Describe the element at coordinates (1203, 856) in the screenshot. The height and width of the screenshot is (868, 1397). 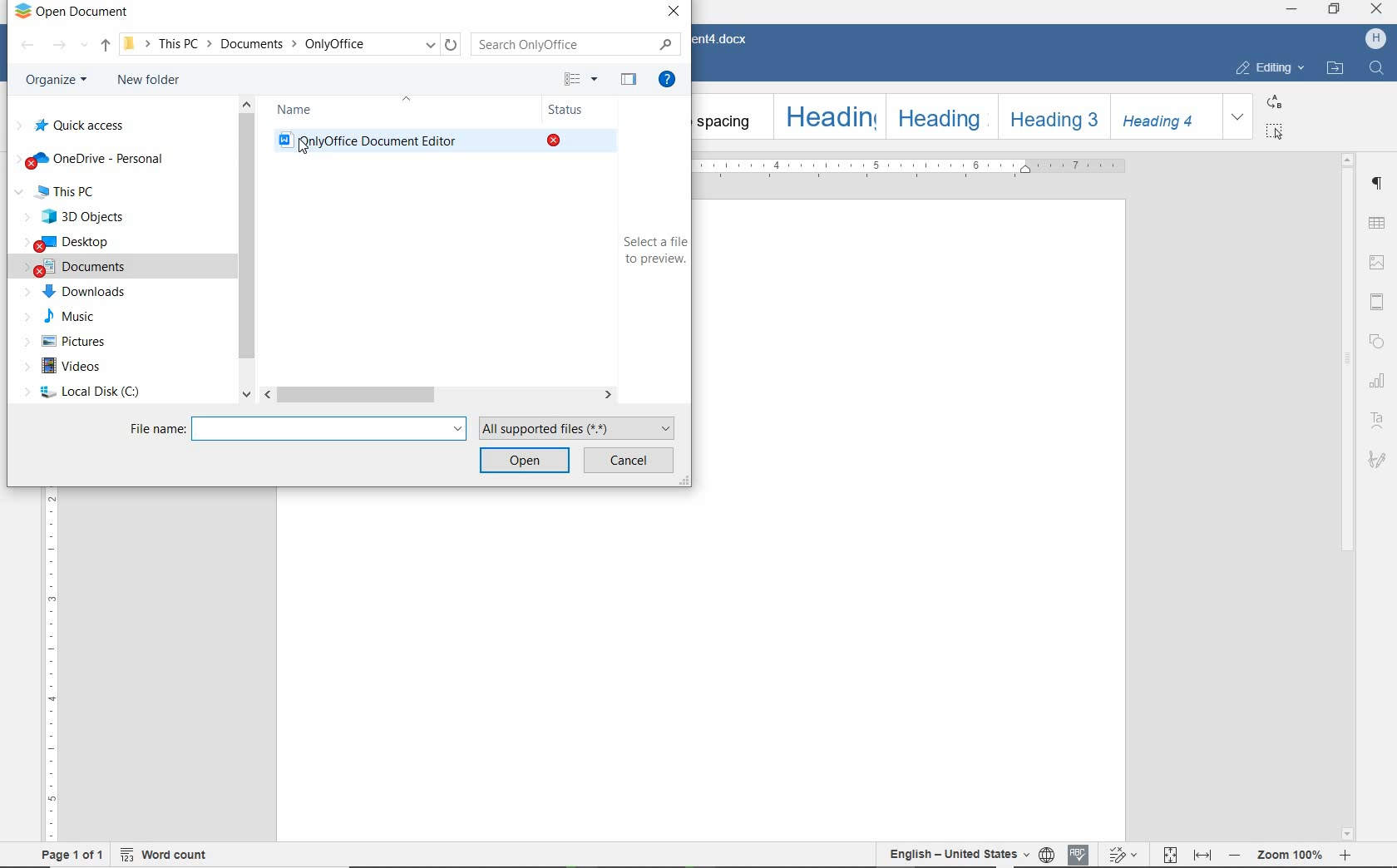
I see `fit to width` at that location.